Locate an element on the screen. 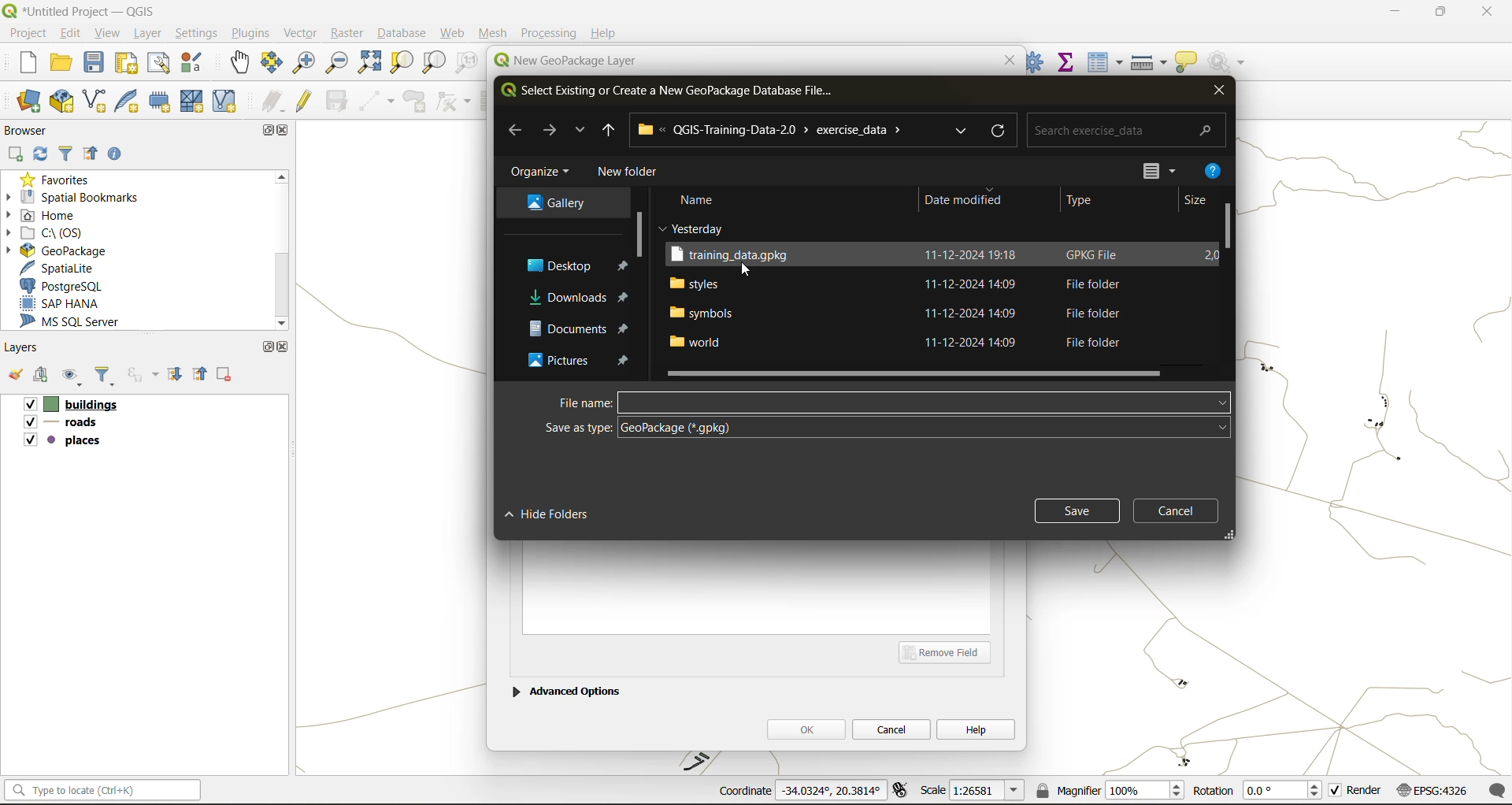 The height and width of the screenshot is (805, 1512). save as type(GeoPackage - *.gpkg) is located at coordinates (884, 428).